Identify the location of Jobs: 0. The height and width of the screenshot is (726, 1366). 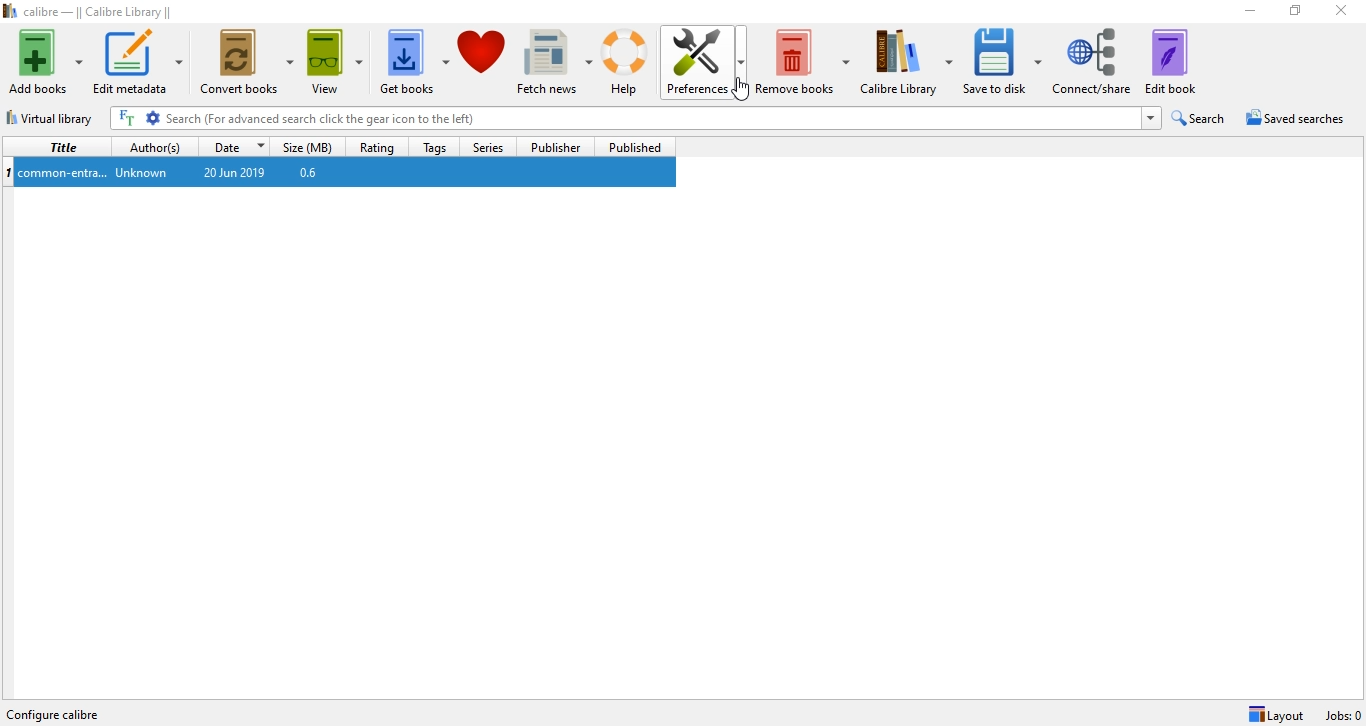
(1341, 715).